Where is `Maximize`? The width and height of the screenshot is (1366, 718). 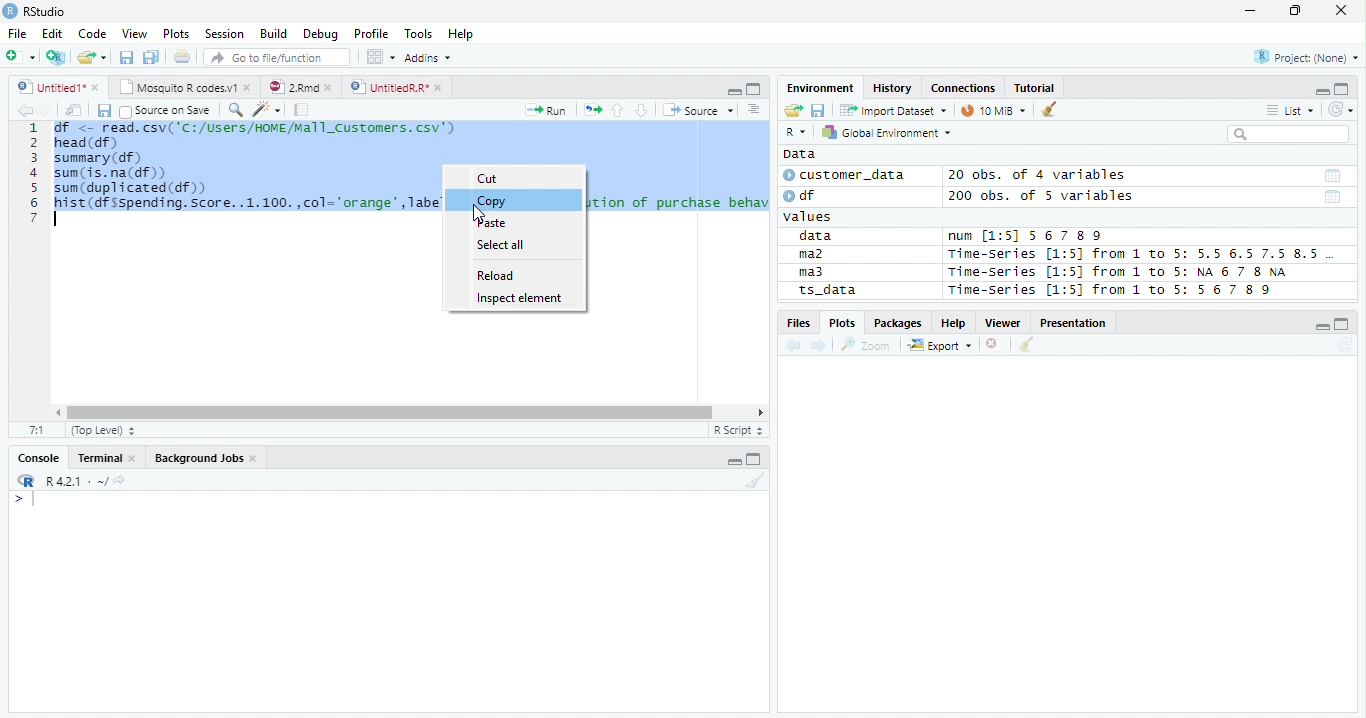
Maximize is located at coordinates (753, 88).